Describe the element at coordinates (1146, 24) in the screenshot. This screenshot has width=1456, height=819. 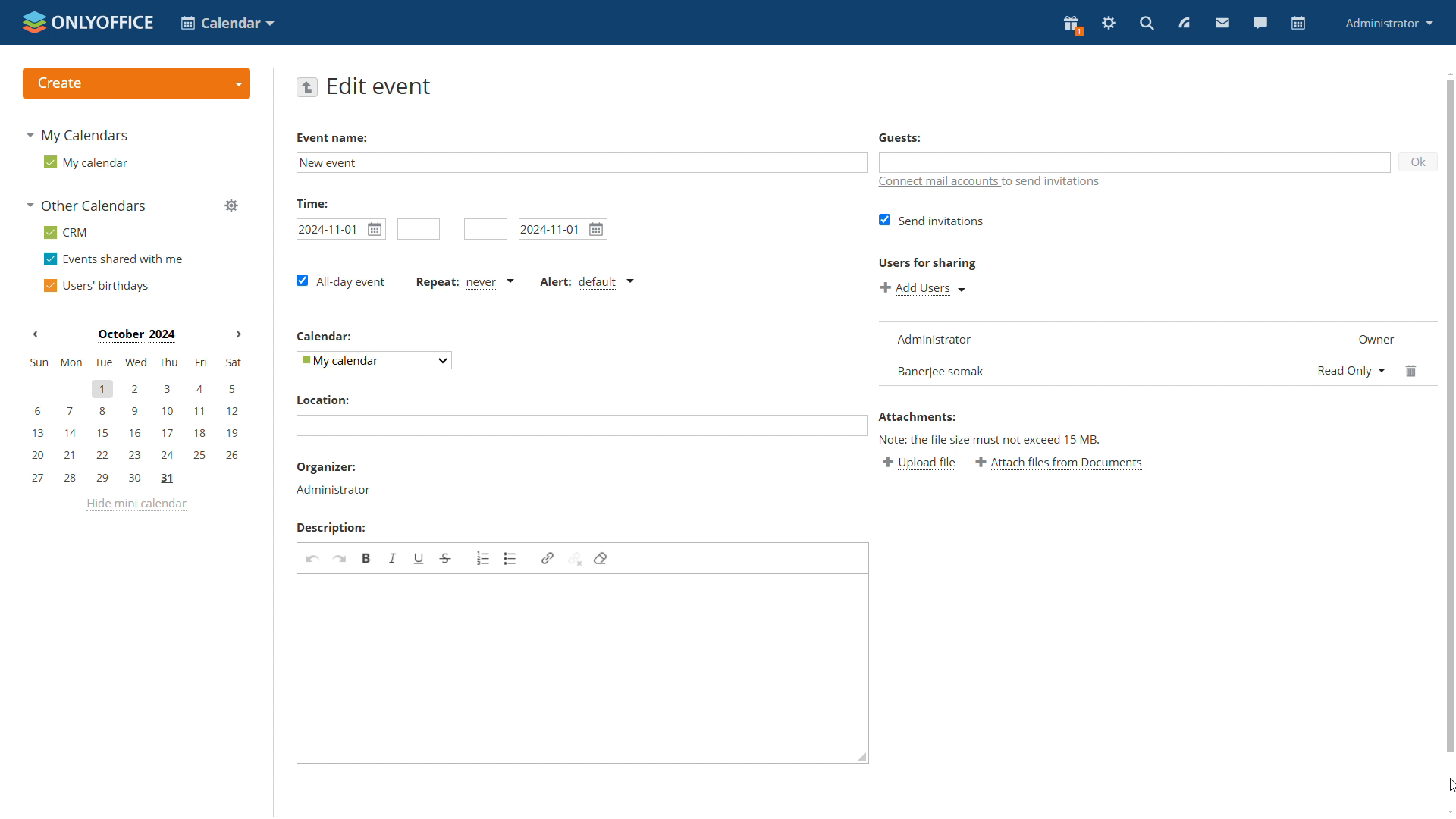
I see `search` at that location.